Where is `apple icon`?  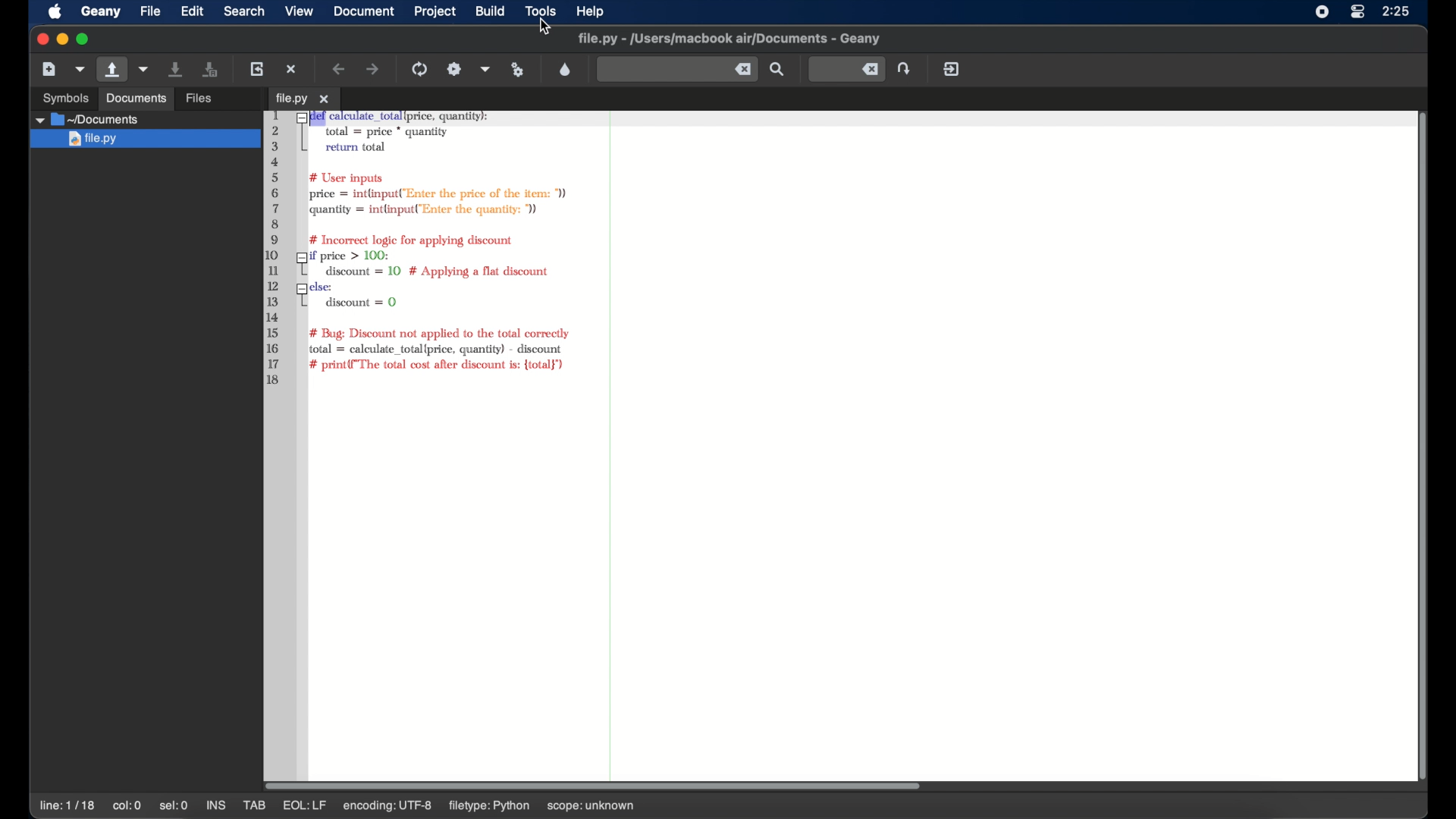
apple icon is located at coordinates (55, 12).